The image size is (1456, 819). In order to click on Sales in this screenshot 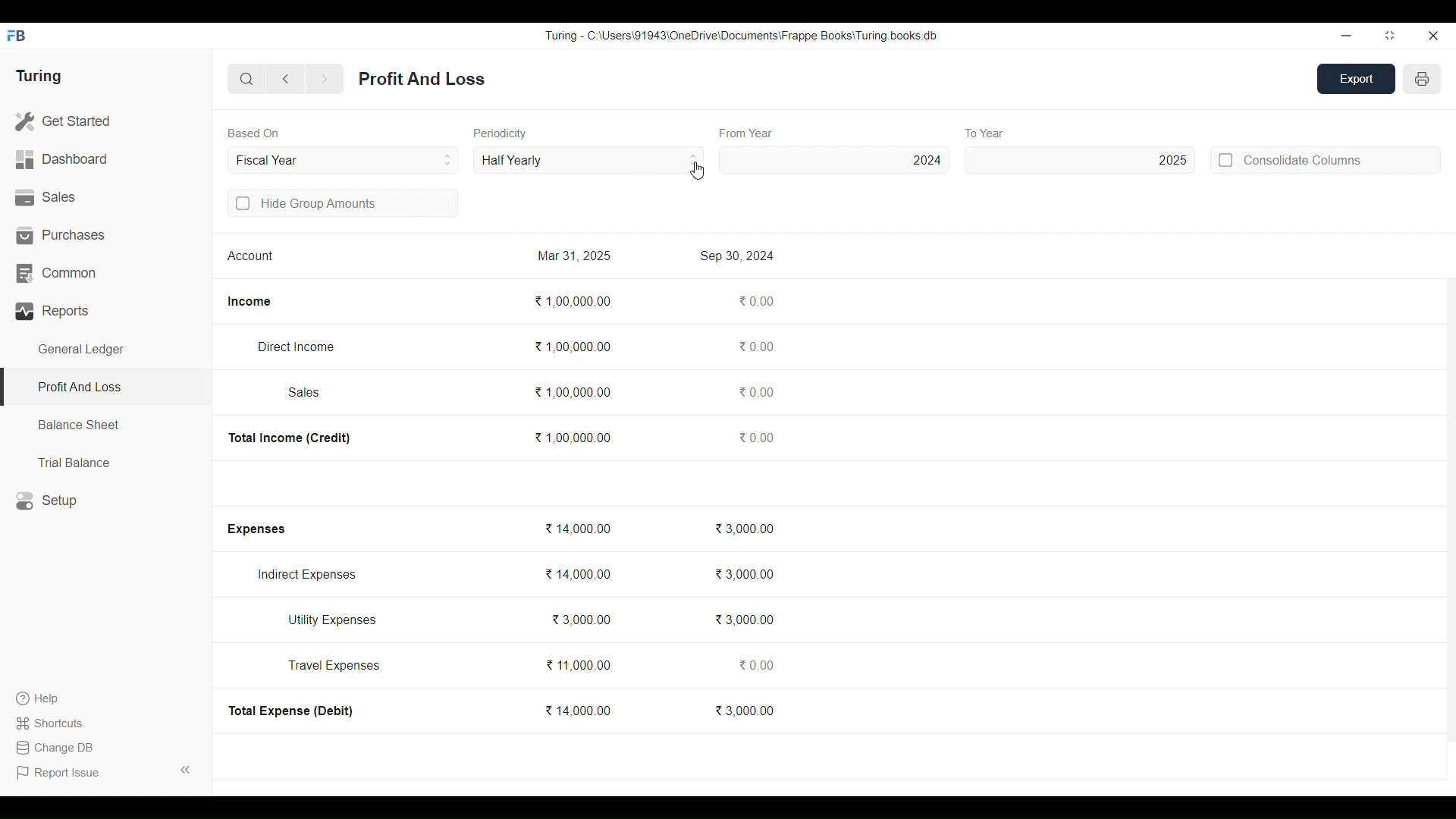, I will do `click(305, 392)`.